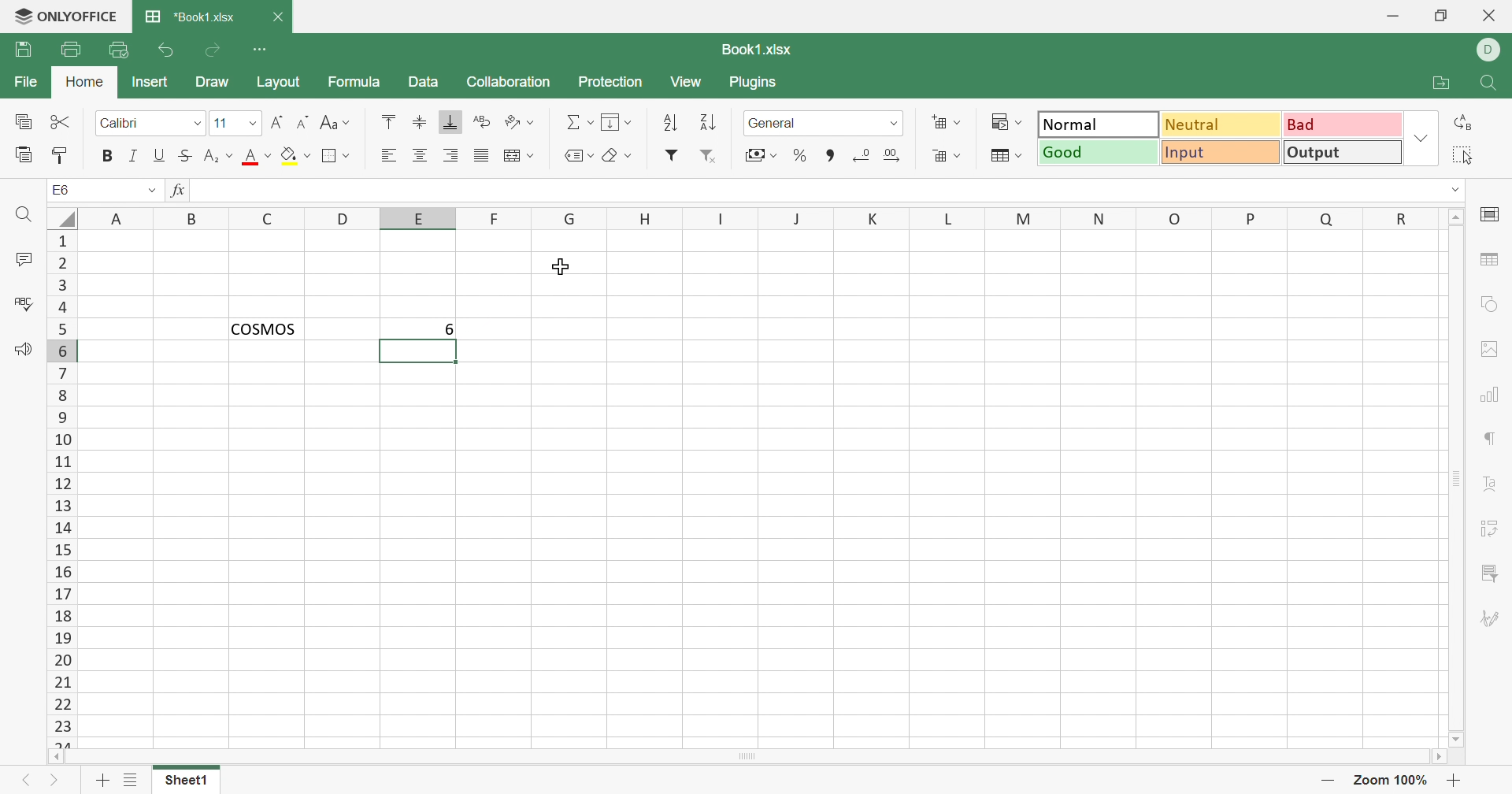  What do you see at coordinates (863, 157) in the screenshot?
I see `Decrease decimal` at bounding box center [863, 157].